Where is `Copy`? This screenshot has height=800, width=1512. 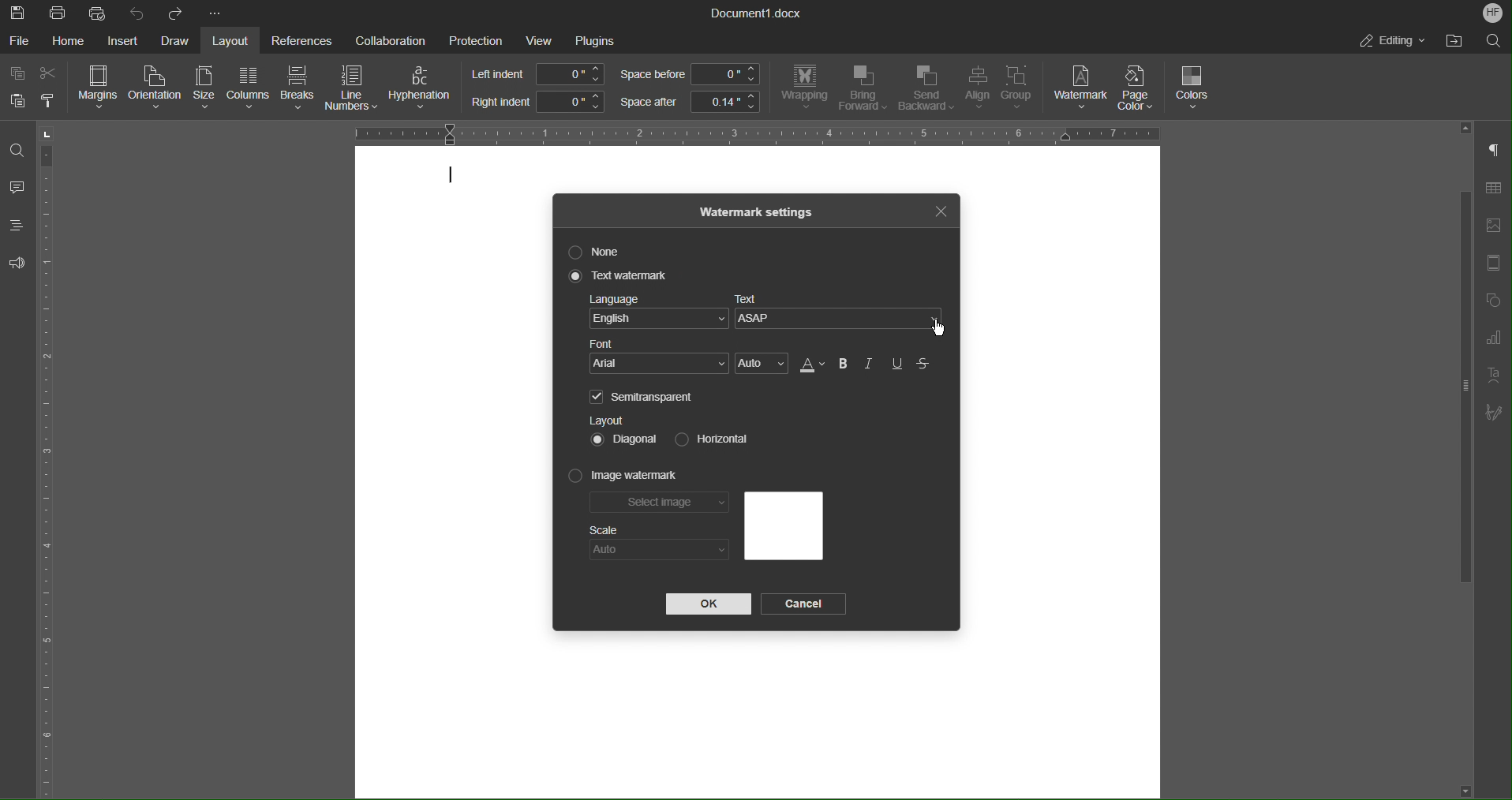 Copy is located at coordinates (19, 74).